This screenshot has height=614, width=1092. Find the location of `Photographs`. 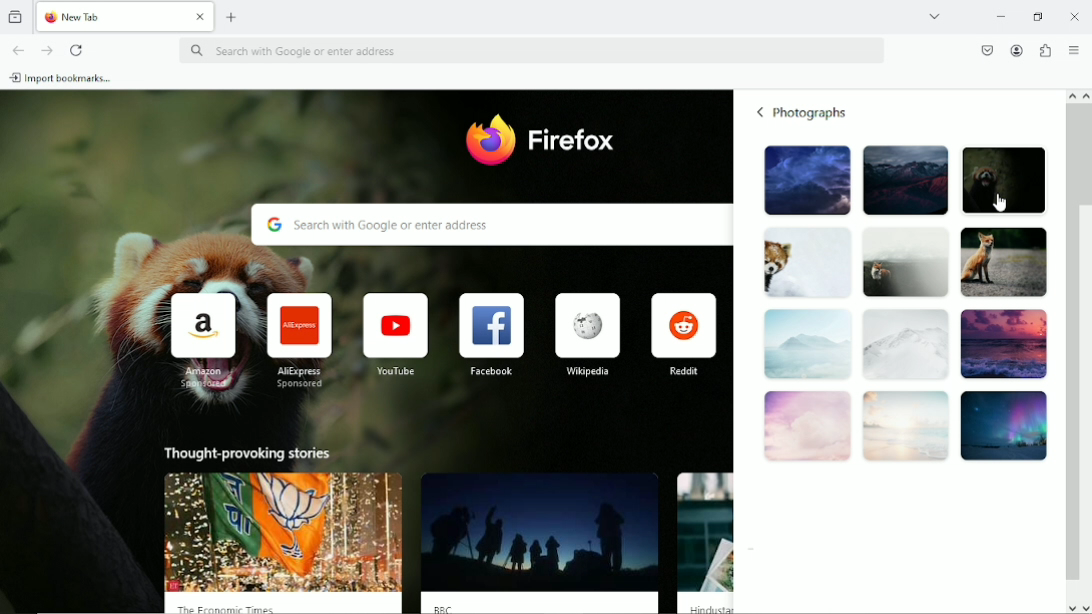

Photographs is located at coordinates (813, 113).